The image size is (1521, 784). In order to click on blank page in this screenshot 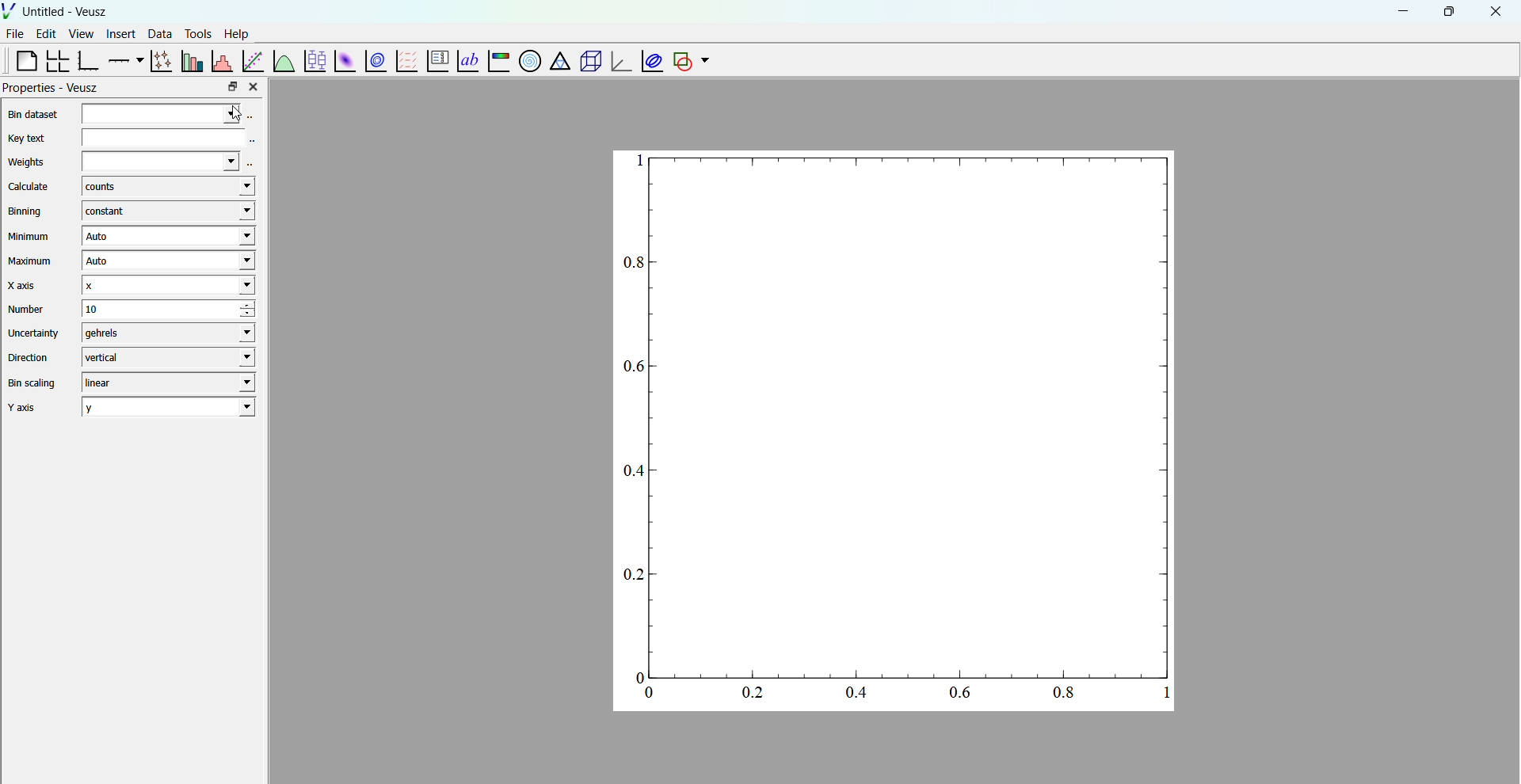, I will do `click(20, 60)`.